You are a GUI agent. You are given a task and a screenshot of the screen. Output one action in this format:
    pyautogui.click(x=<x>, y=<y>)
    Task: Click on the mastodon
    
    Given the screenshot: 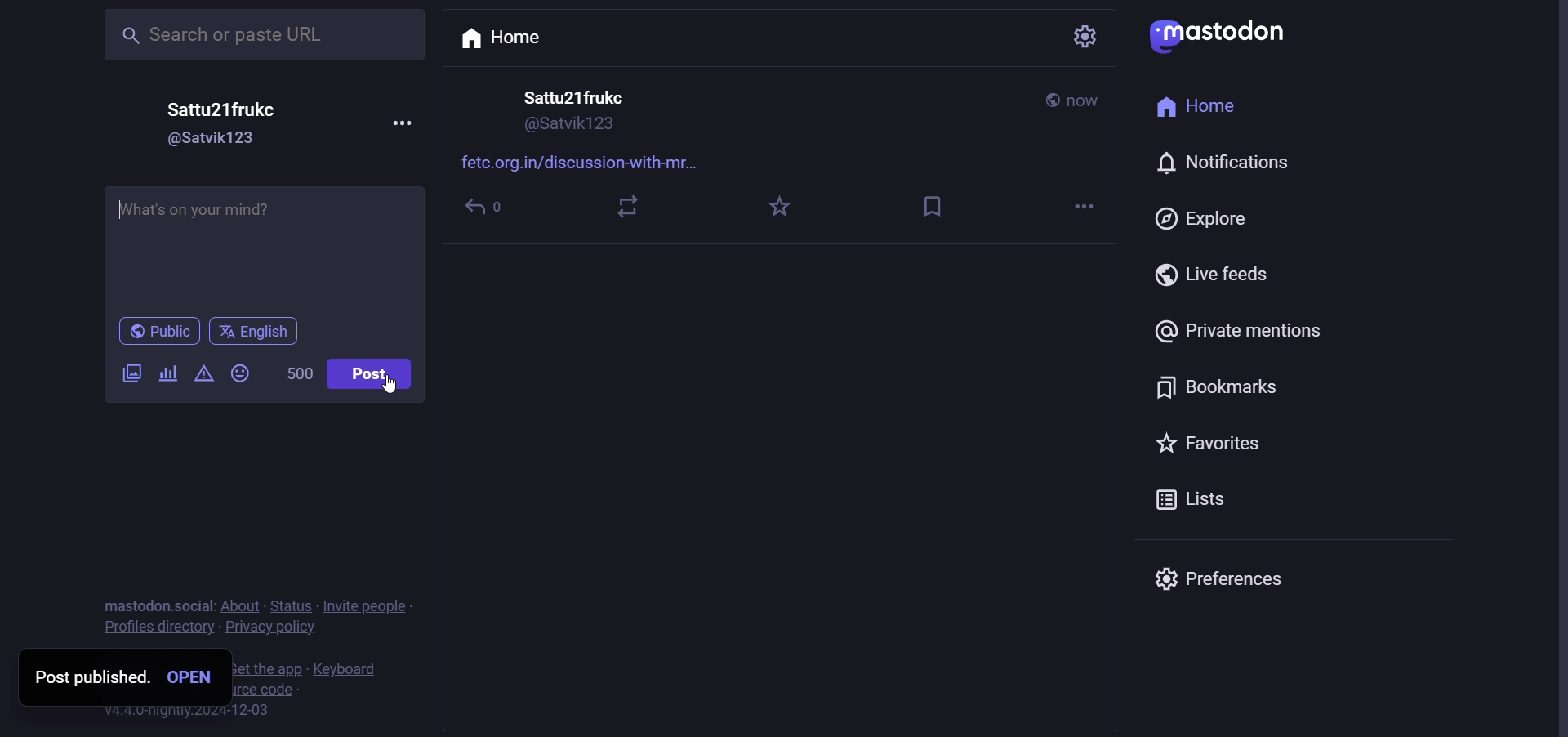 What is the action you would take?
    pyautogui.click(x=1223, y=33)
    